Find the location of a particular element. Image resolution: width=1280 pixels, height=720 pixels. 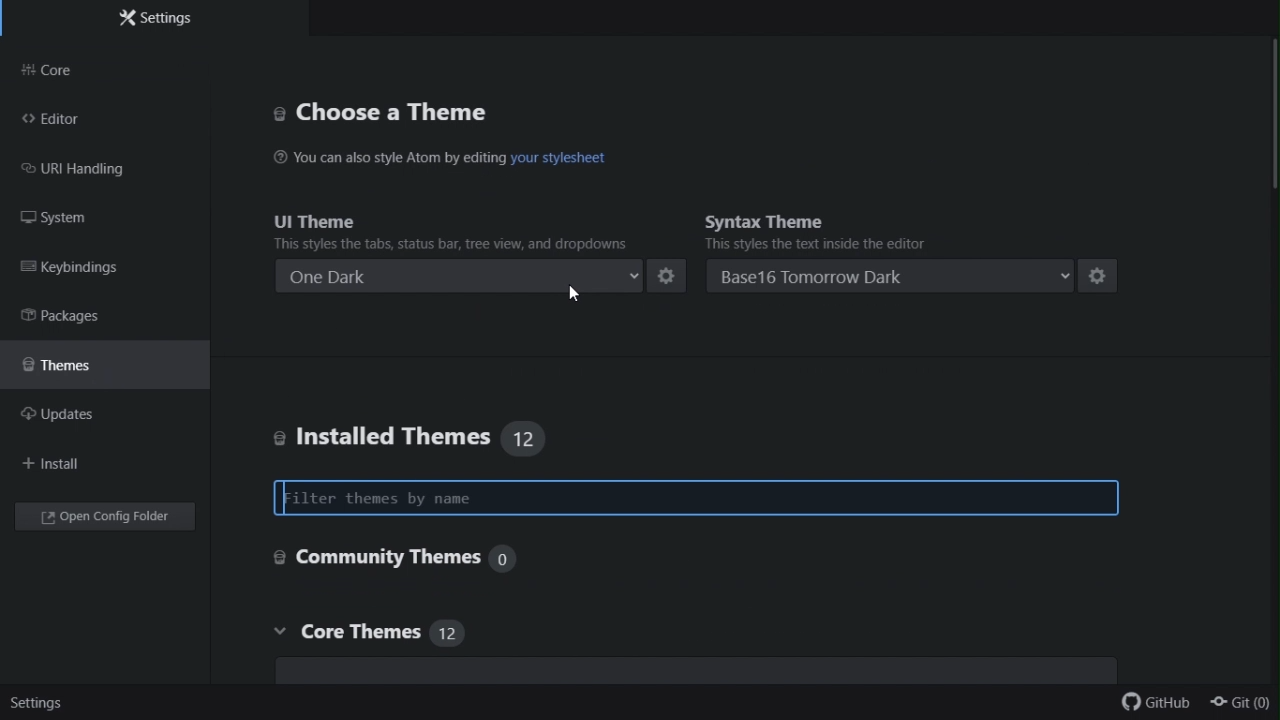

cursor is located at coordinates (578, 296).